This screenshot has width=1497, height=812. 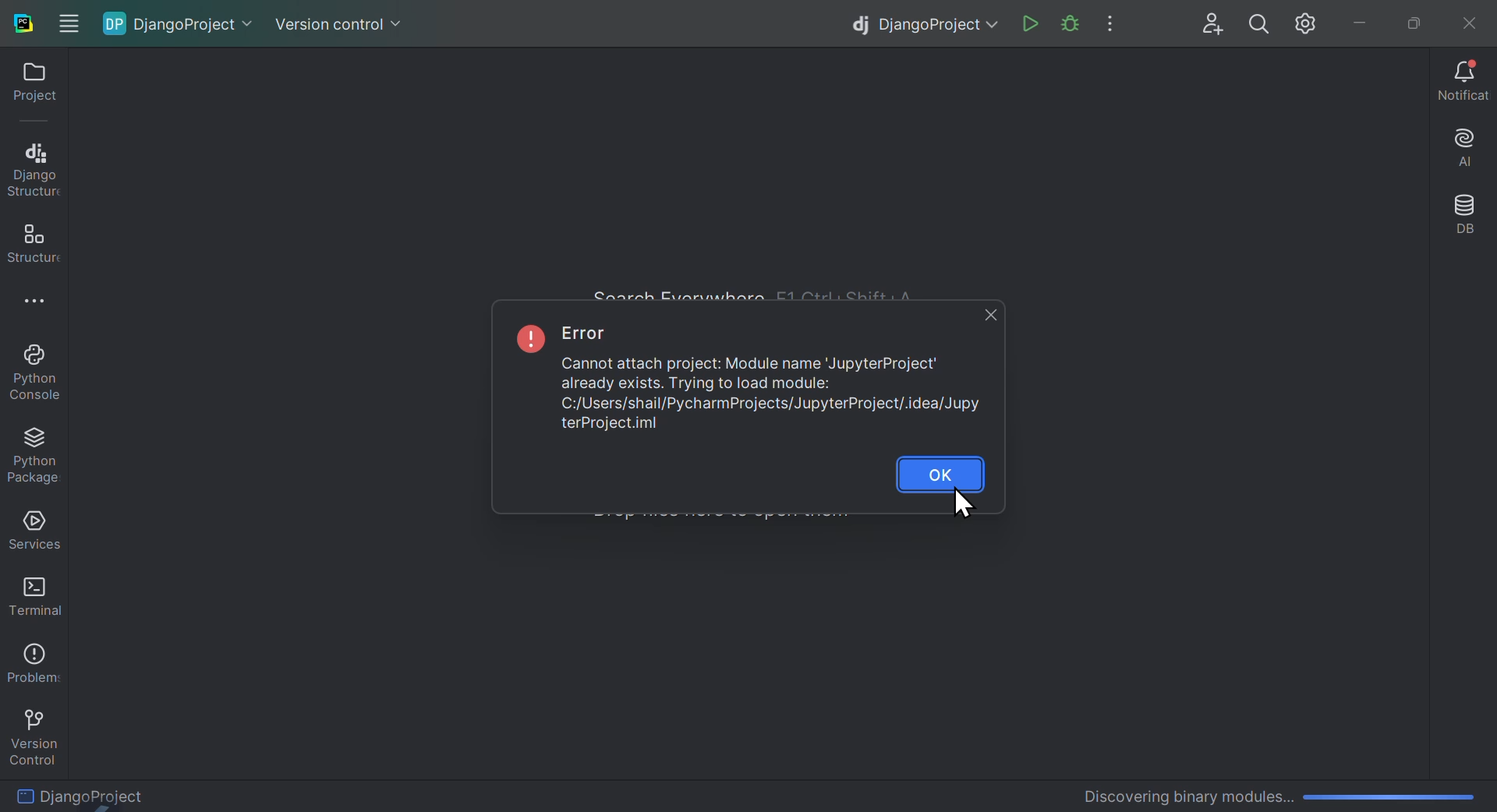 What do you see at coordinates (33, 733) in the screenshot?
I see `version control` at bounding box center [33, 733].